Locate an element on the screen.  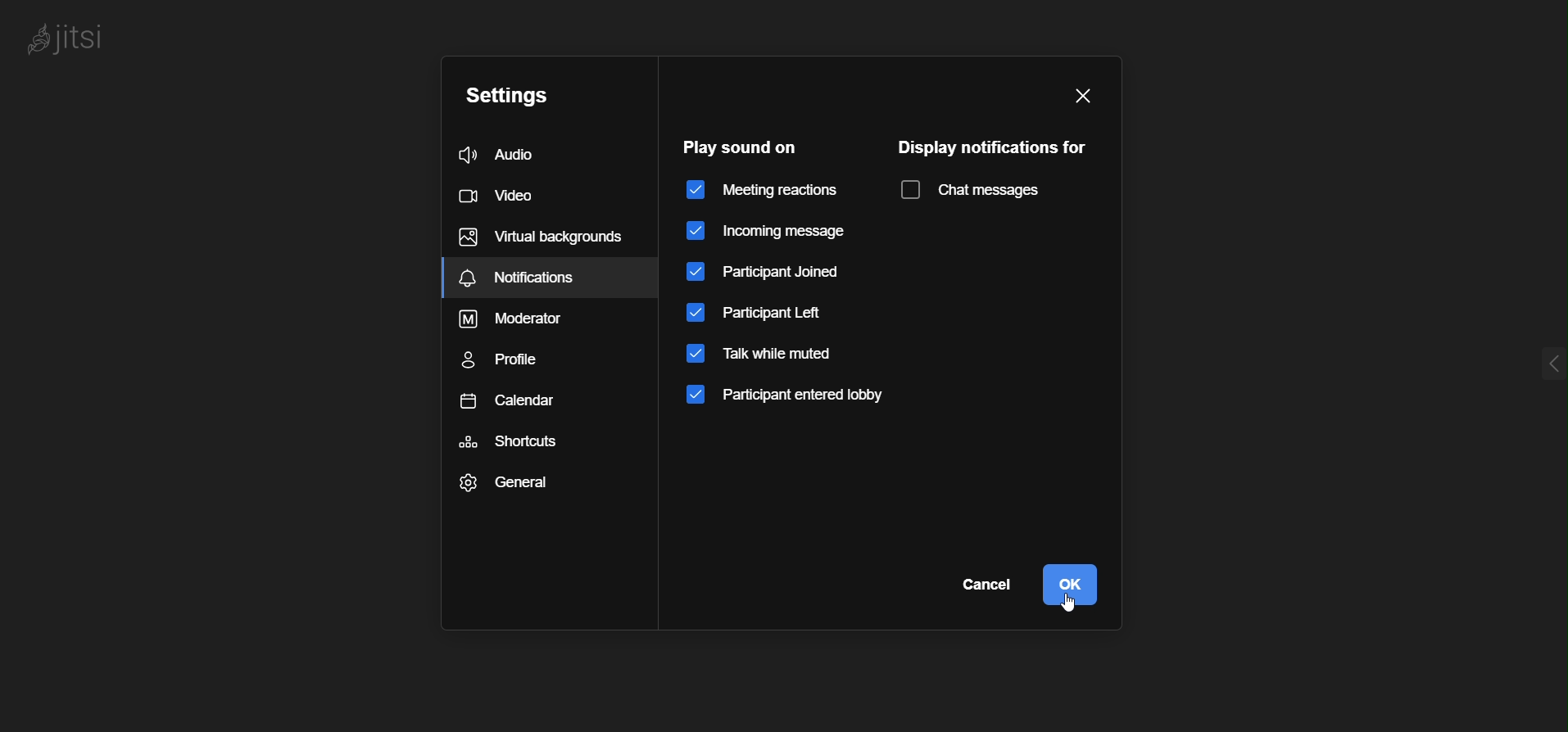
shortcuts is located at coordinates (515, 442).